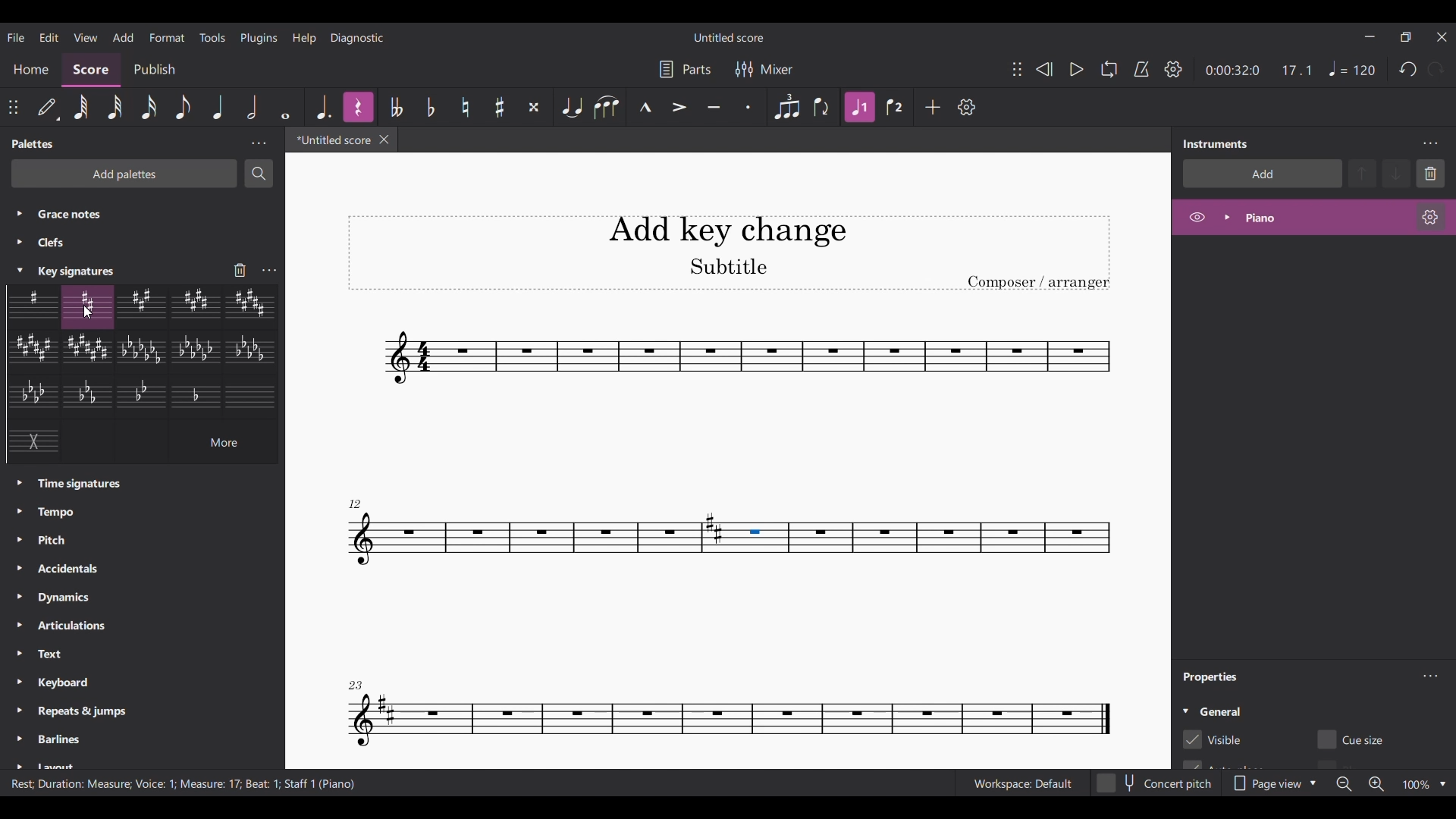  Describe the element at coordinates (787, 107) in the screenshot. I see `Tuplet` at that location.